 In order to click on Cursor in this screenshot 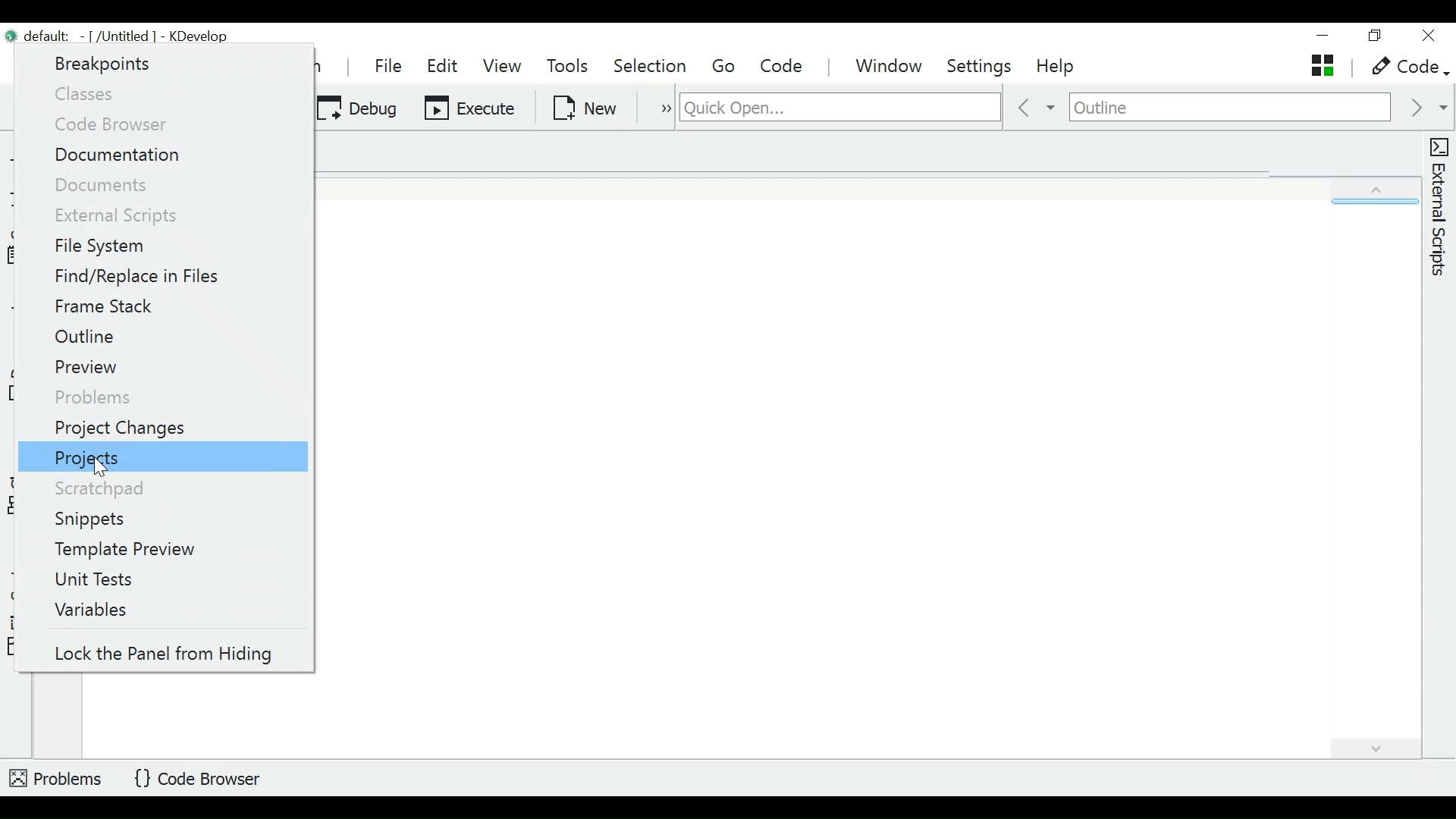, I will do `click(98, 469)`.